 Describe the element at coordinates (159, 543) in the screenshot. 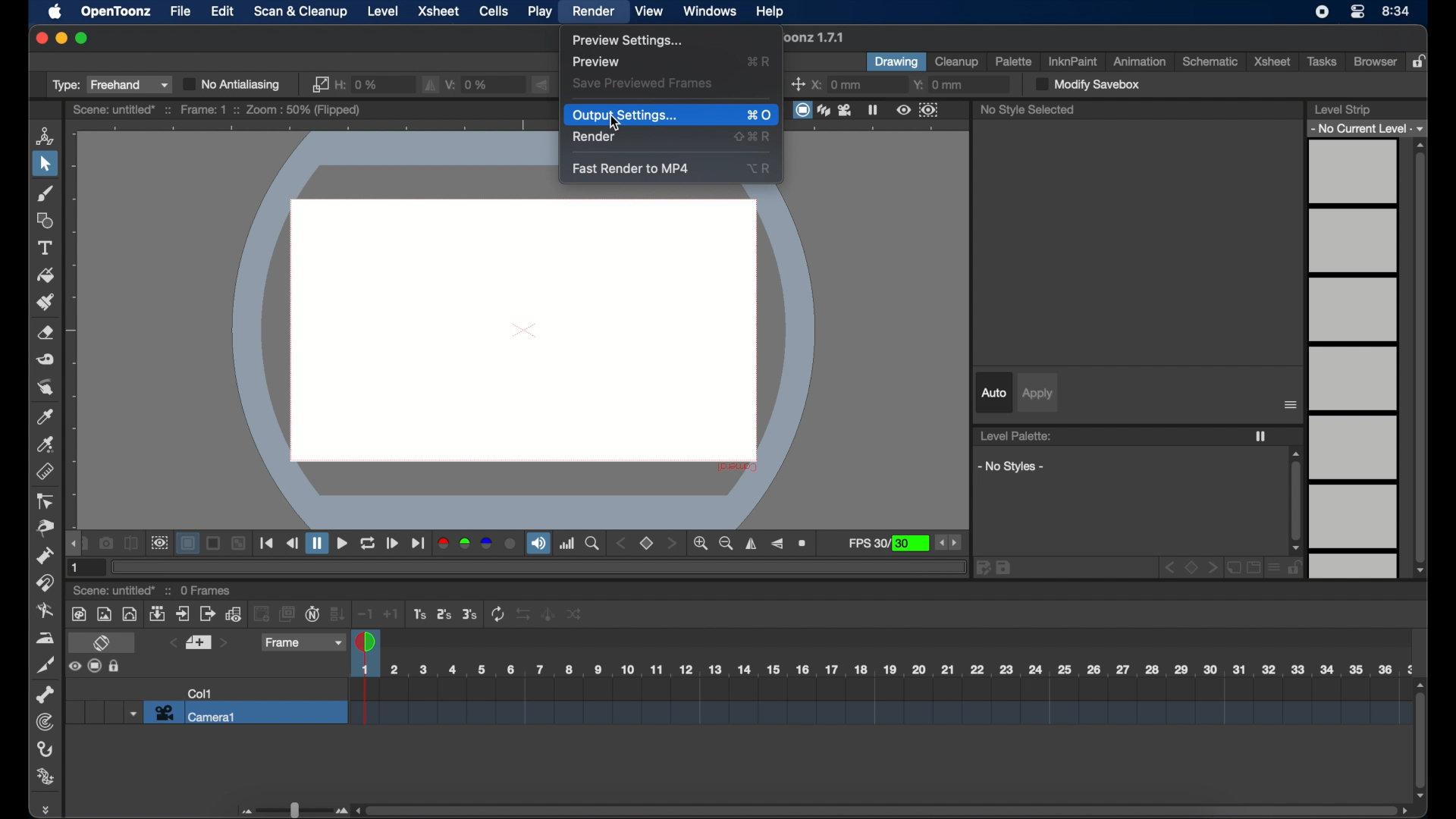

I see `preview` at that location.